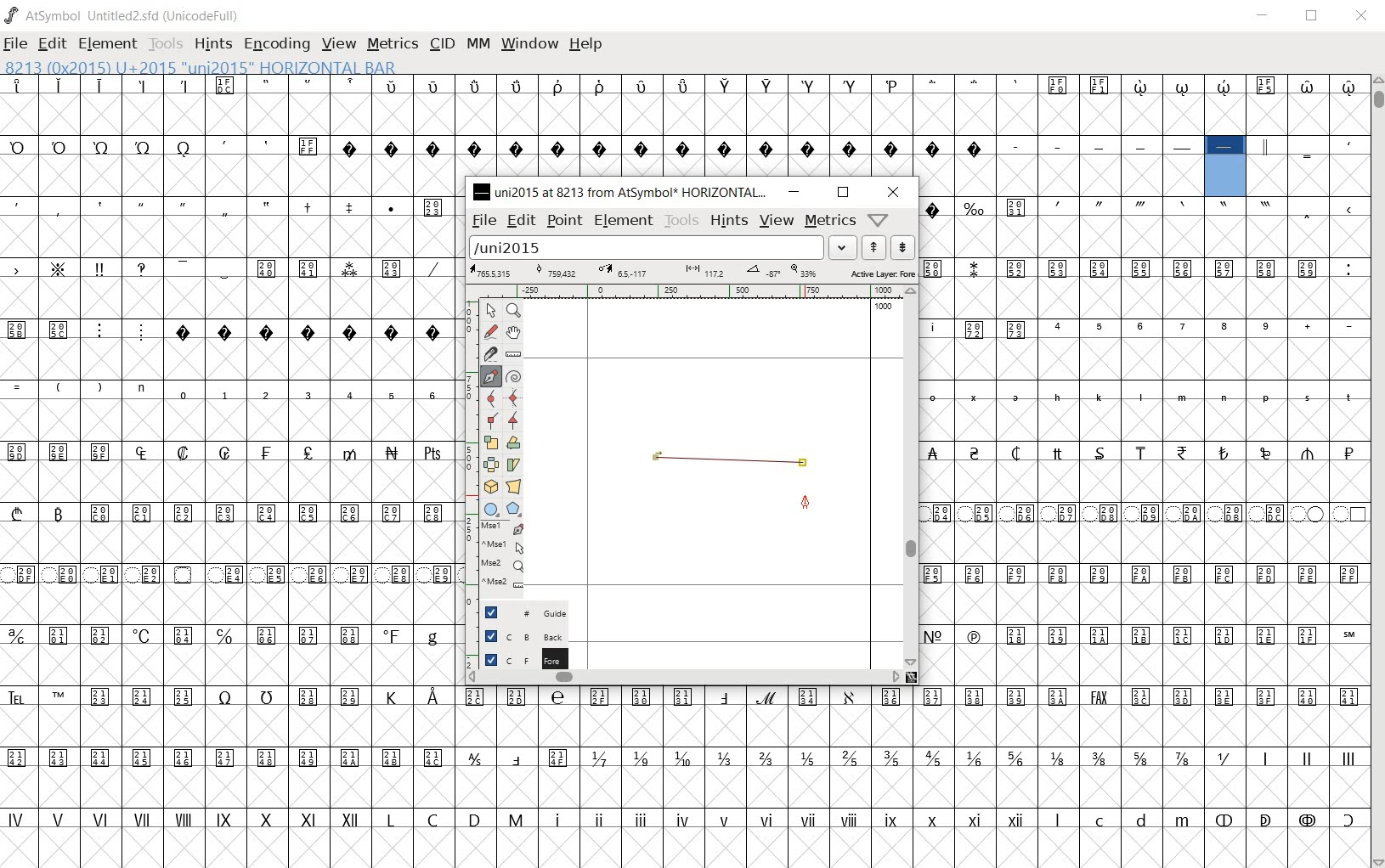 The width and height of the screenshot is (1385, 868). Describe the element at coordinates (515, 612) in the screenshot. I see `Guide` at that location.